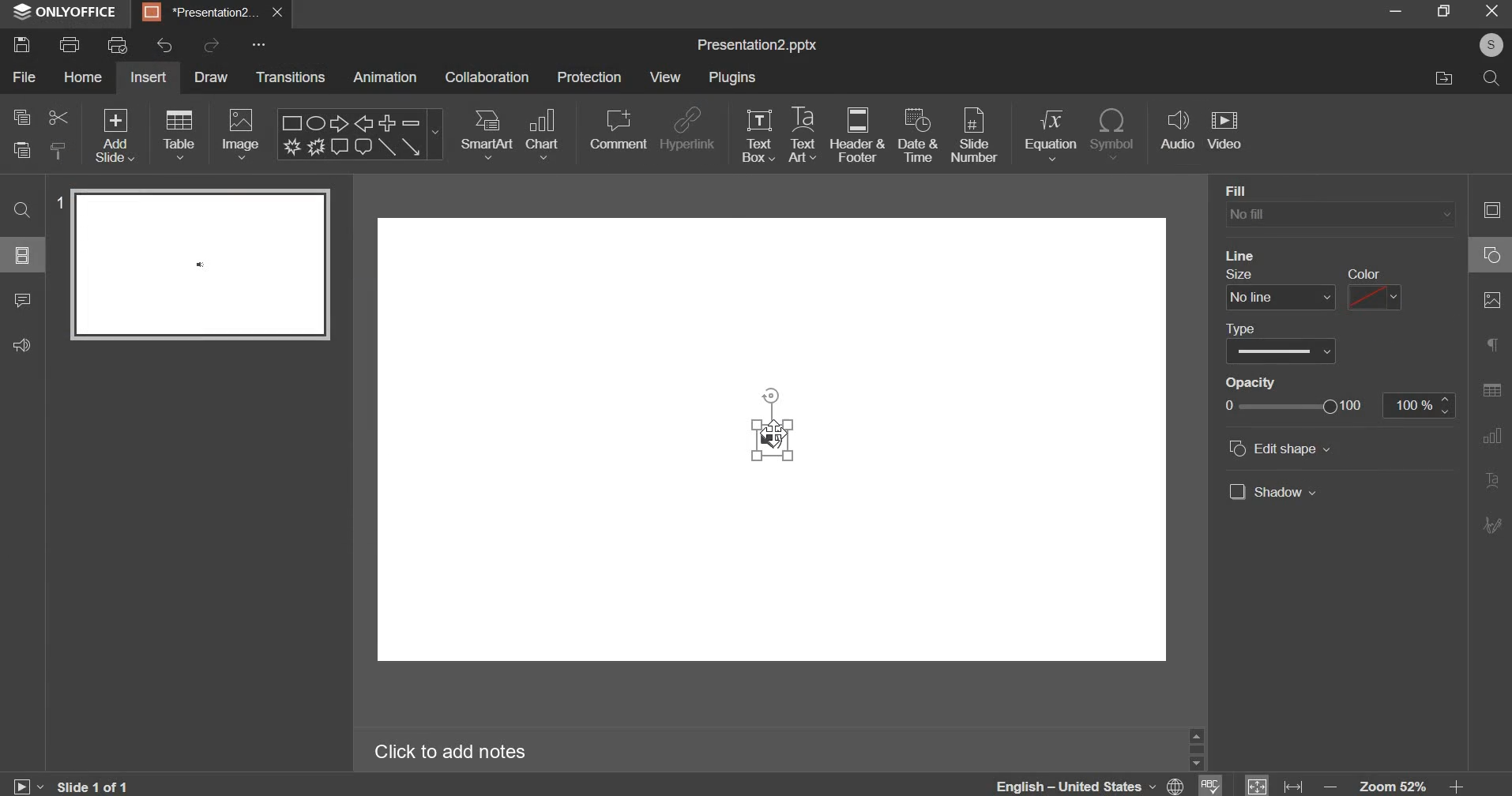  I want to click on chart settings, so click(1491, 436).